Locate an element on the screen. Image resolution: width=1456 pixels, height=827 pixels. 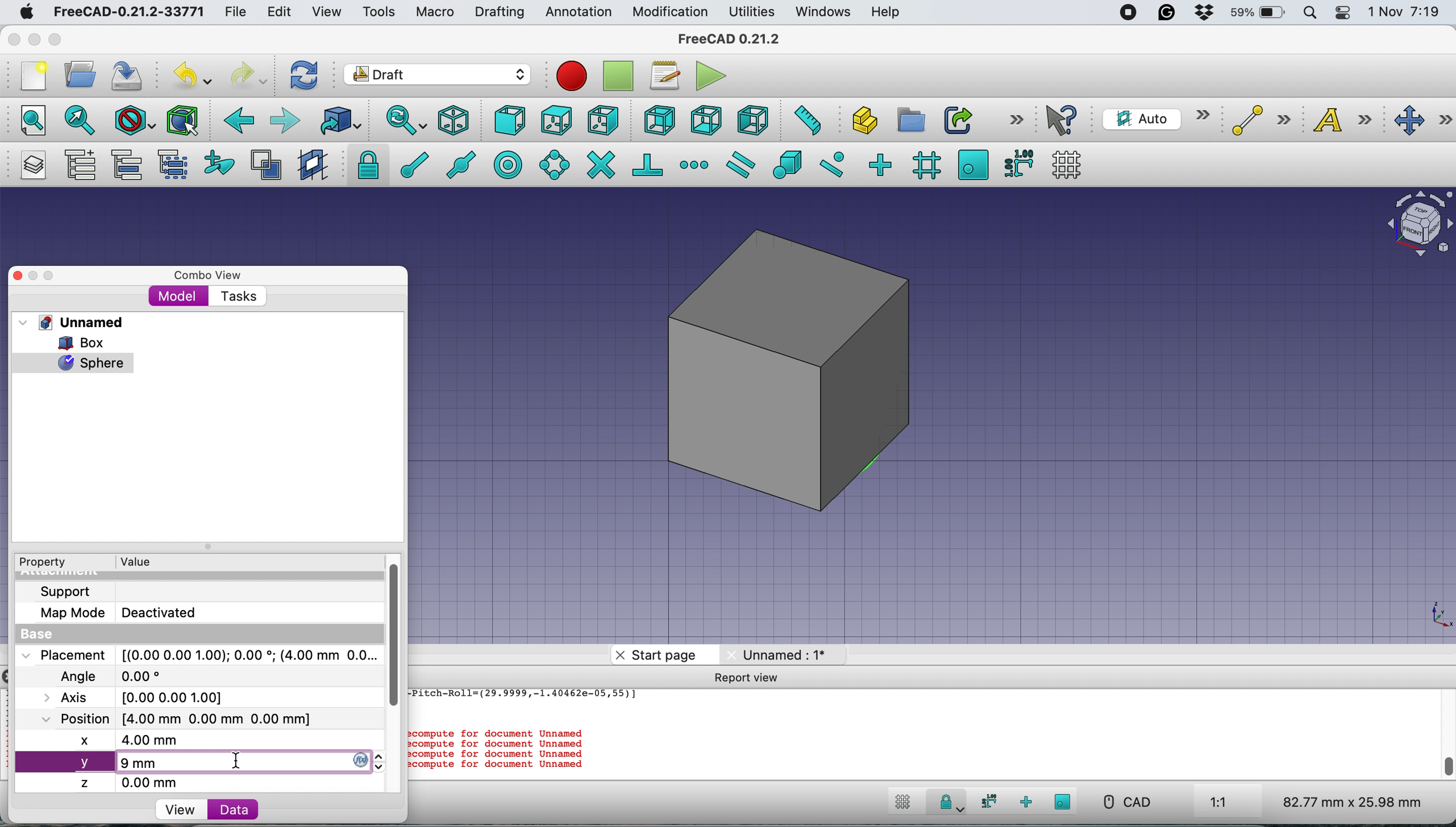
windows is located at coordinates (825, 12).